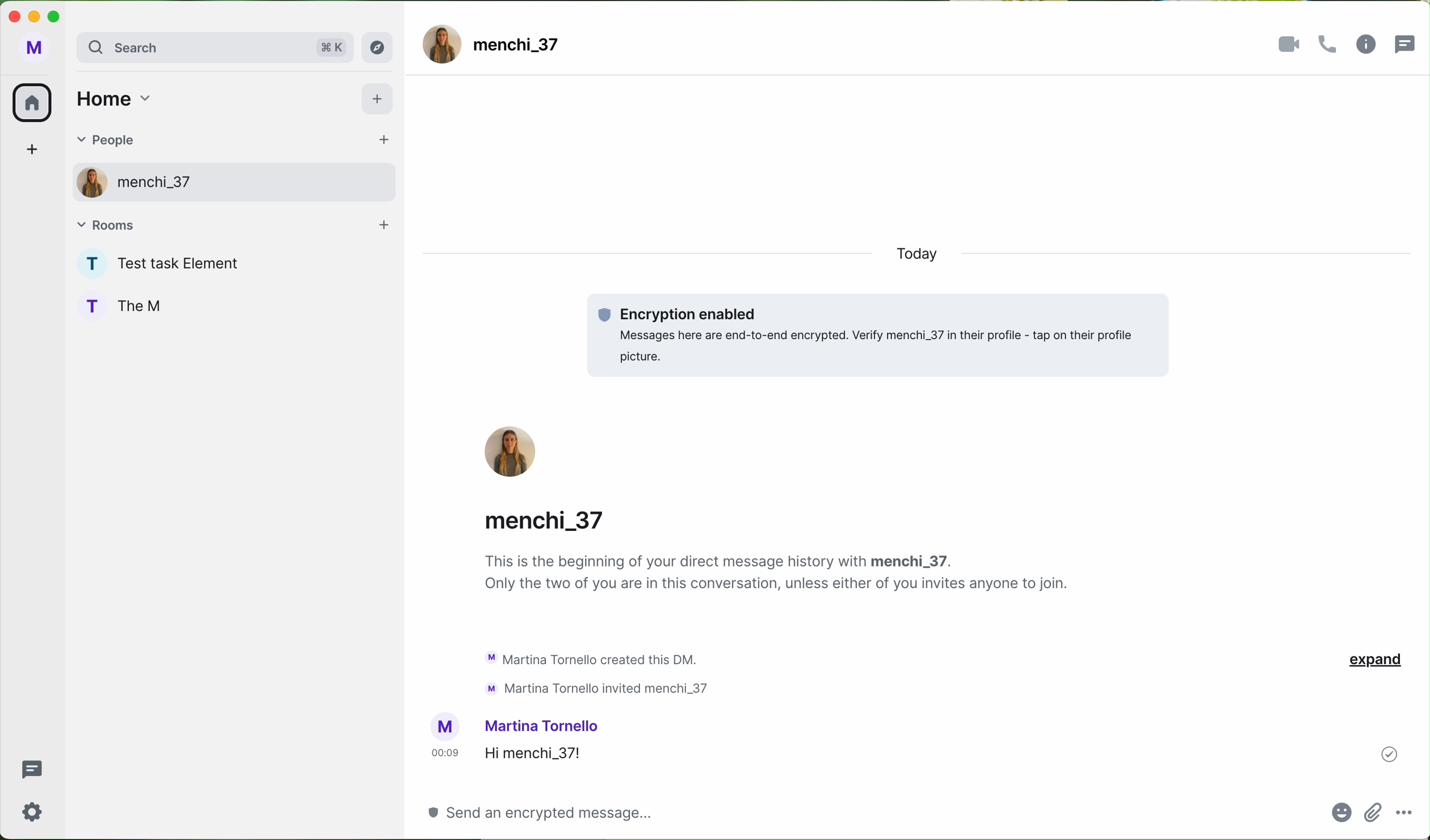 Image resolution: width=1430 pixels, height=840 pixels. I want to click on notes, so click(780, 575).